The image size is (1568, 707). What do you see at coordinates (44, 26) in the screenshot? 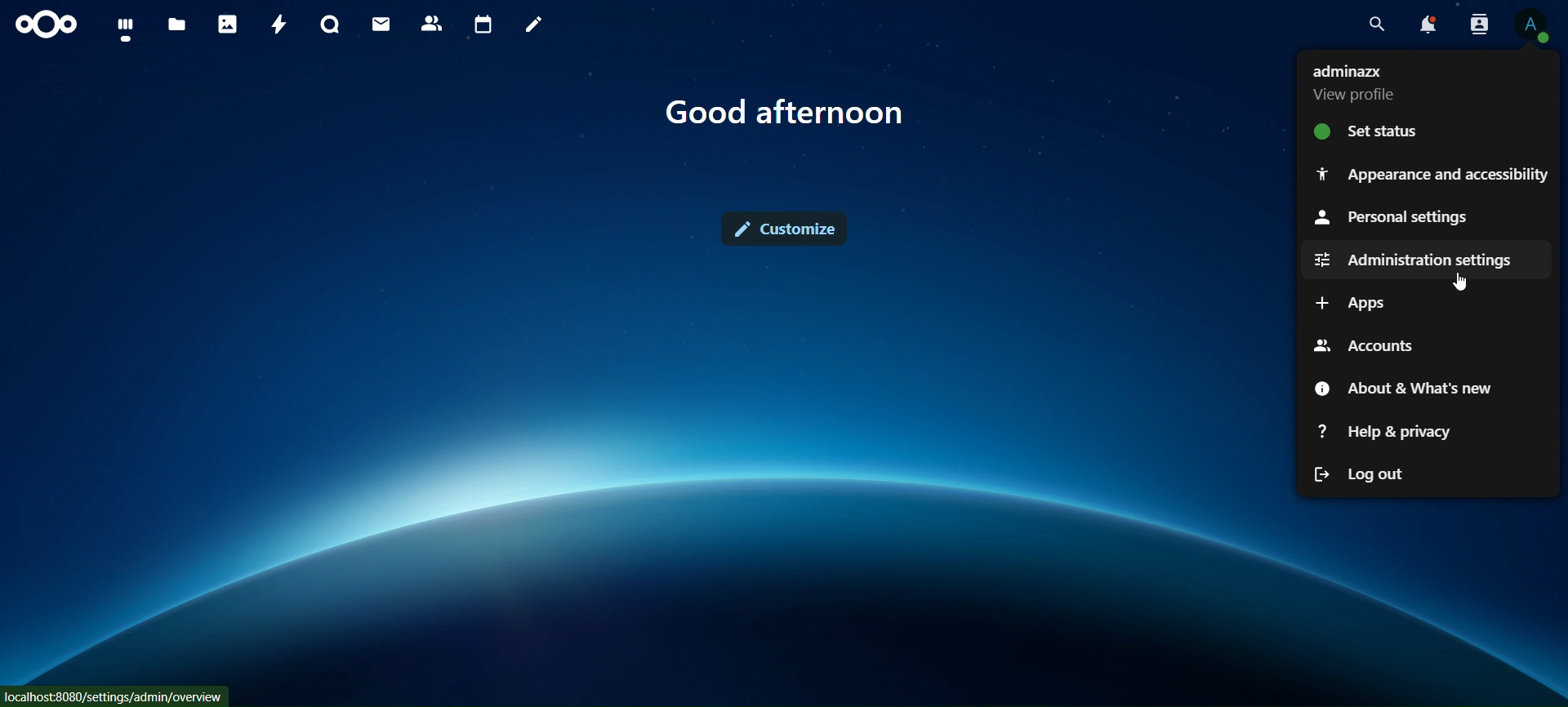
I see `icon` at bounding box center [44, 26].